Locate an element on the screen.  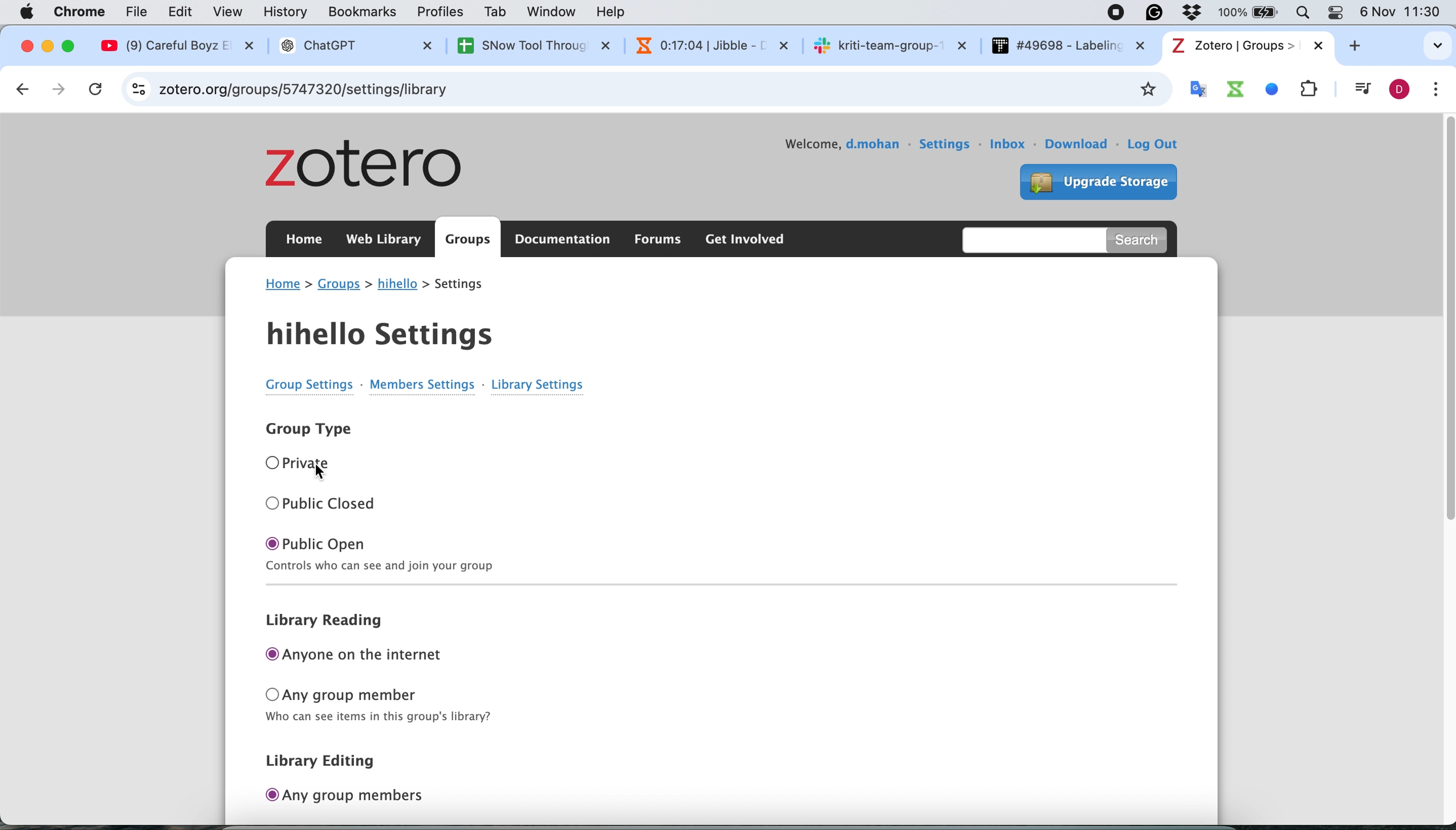
groups is located at coordinates (468, 240).